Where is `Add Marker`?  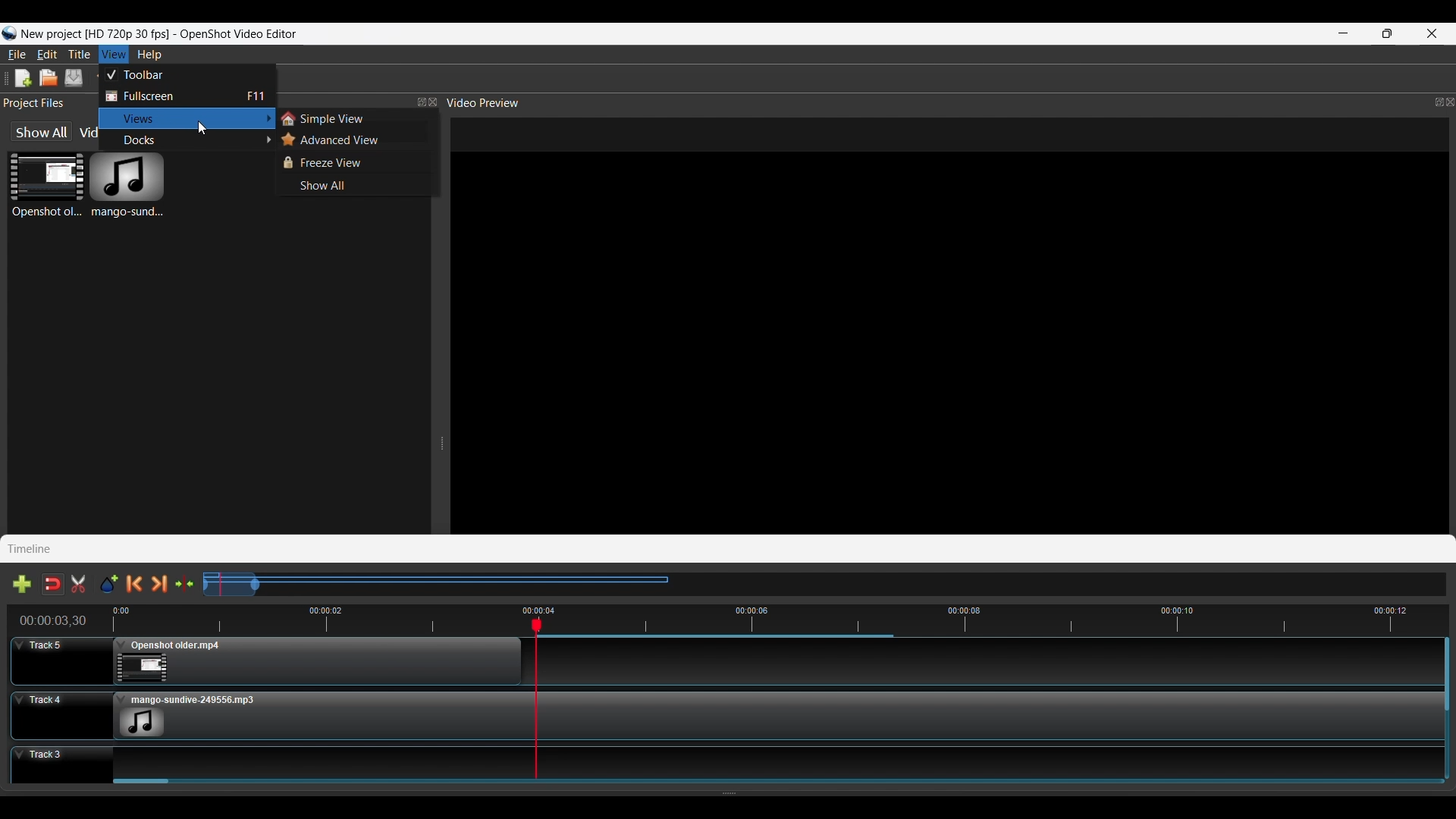 Add Marker is located at coordinates (109, 584).